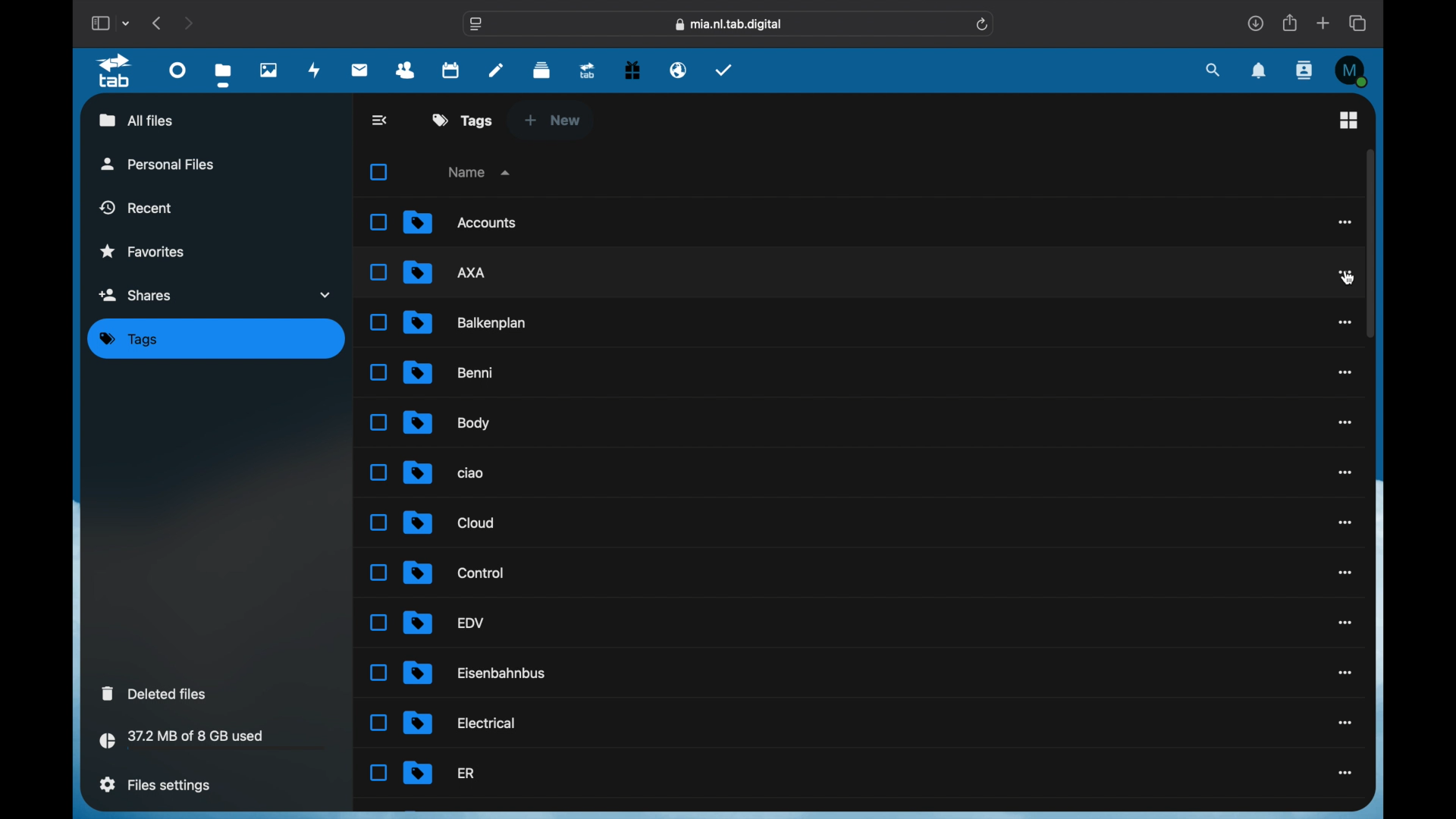  I want to click on files settings, so click(155, 784).